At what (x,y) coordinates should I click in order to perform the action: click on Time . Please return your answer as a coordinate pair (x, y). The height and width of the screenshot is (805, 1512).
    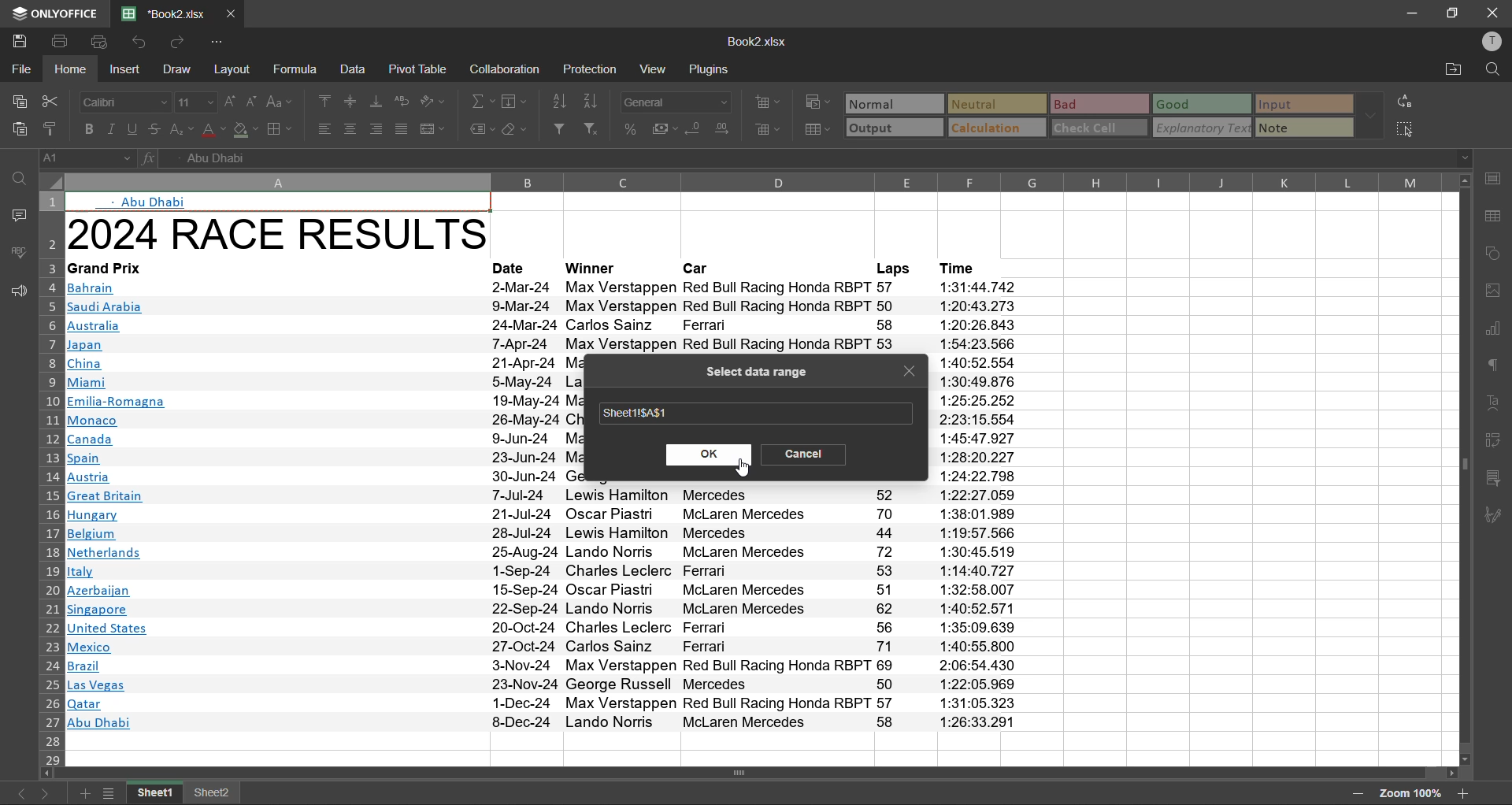
    Looking at the image, I should click on (987, 547).